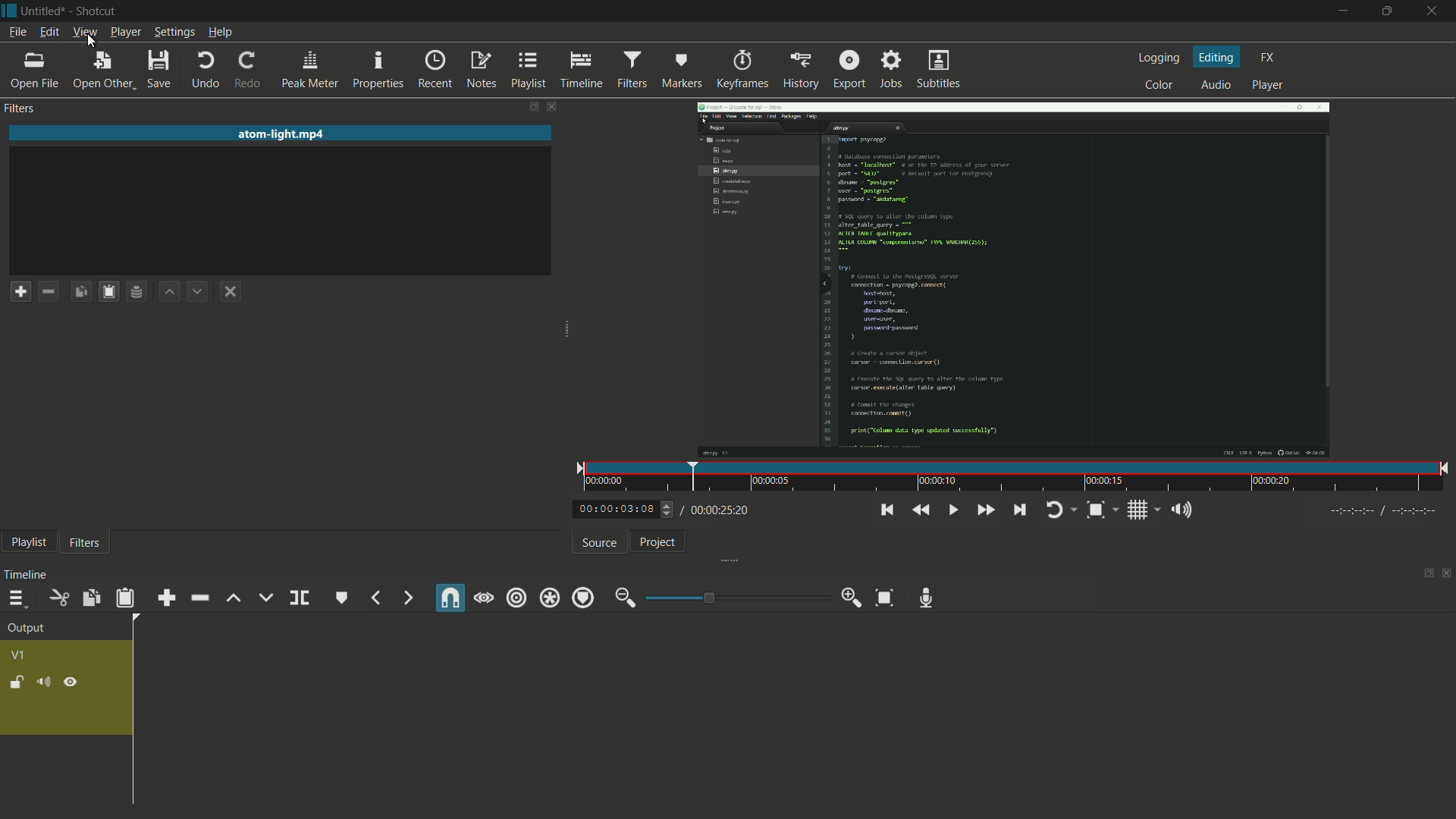 This screenshot has width=1456, height=819. Describe the element at coordinates (139, 290) in the screenshot. I see `save filter set` at that location.